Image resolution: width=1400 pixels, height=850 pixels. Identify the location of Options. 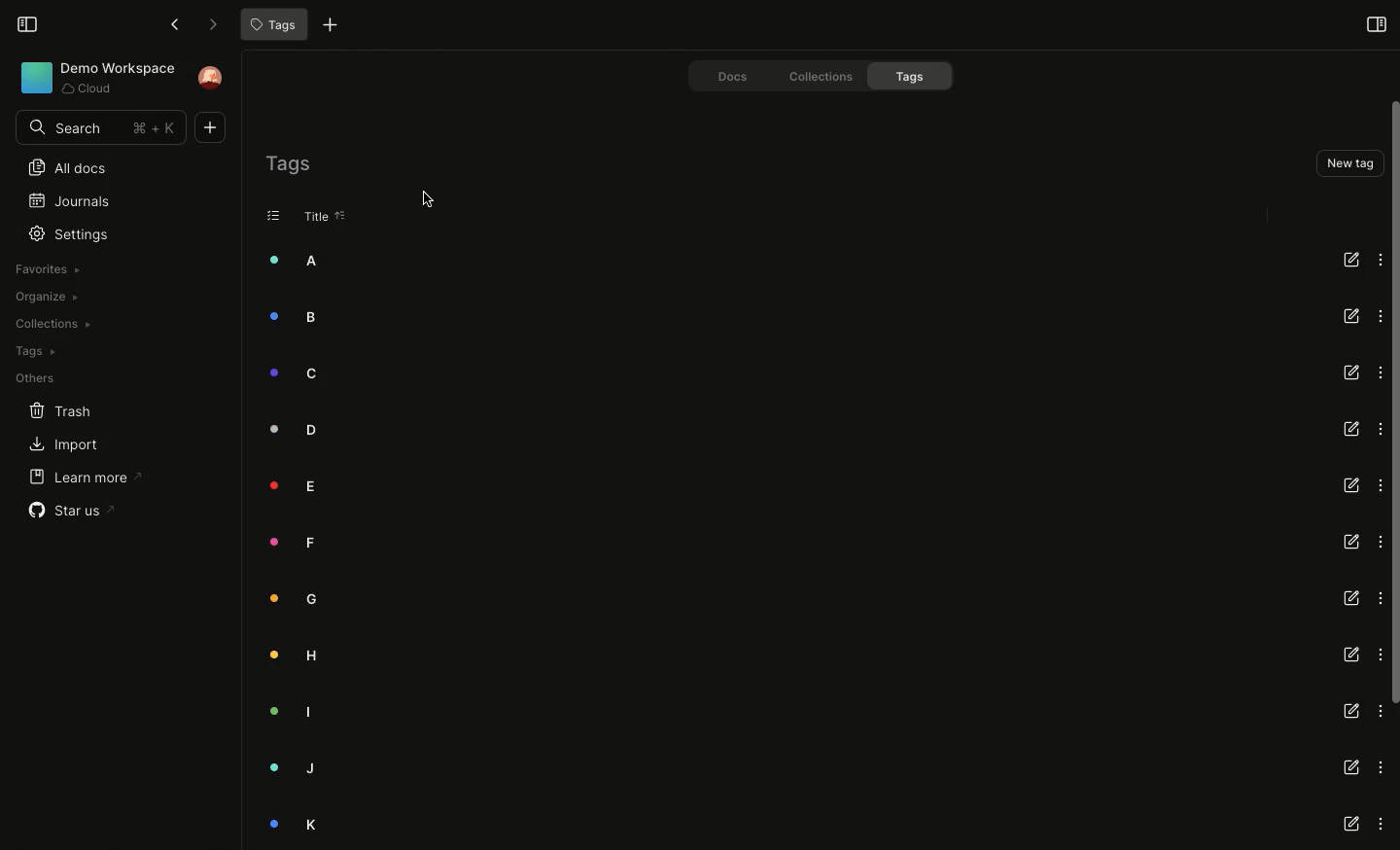
(1379, 599).